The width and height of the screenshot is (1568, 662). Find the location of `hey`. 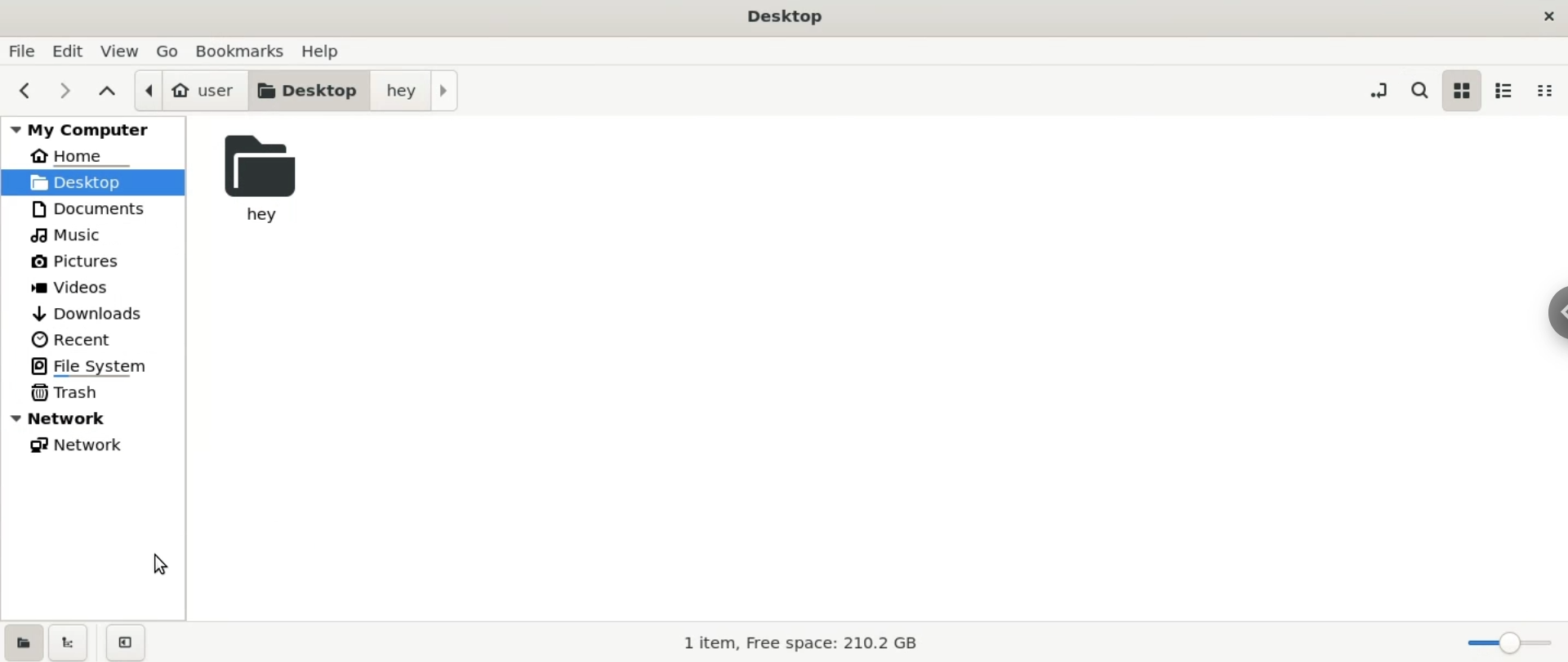

hey is located at coordinates (258, 174).